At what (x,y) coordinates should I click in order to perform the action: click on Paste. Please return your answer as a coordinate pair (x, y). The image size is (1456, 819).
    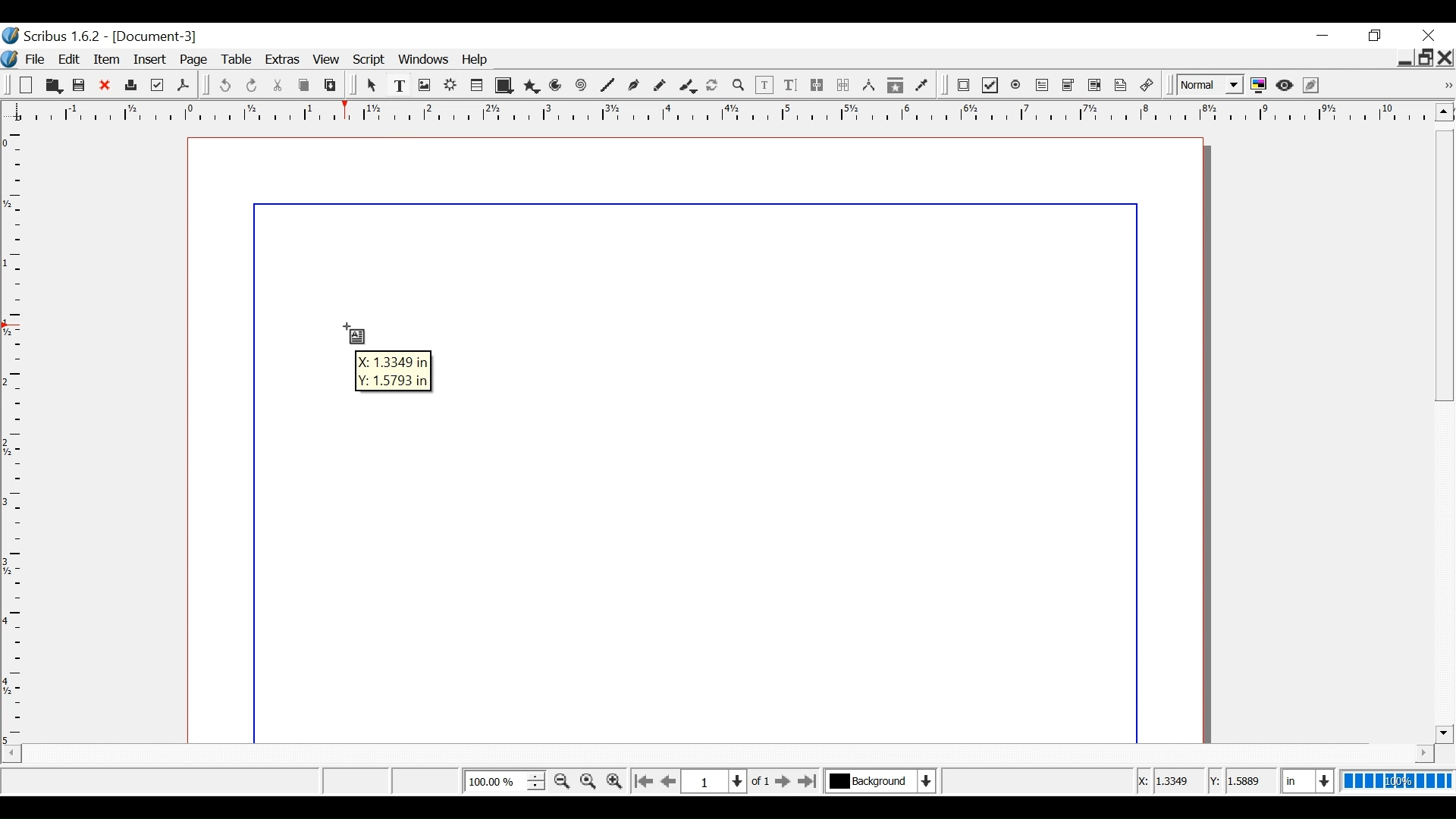
    Looking at the image, I should click on (333, 84).